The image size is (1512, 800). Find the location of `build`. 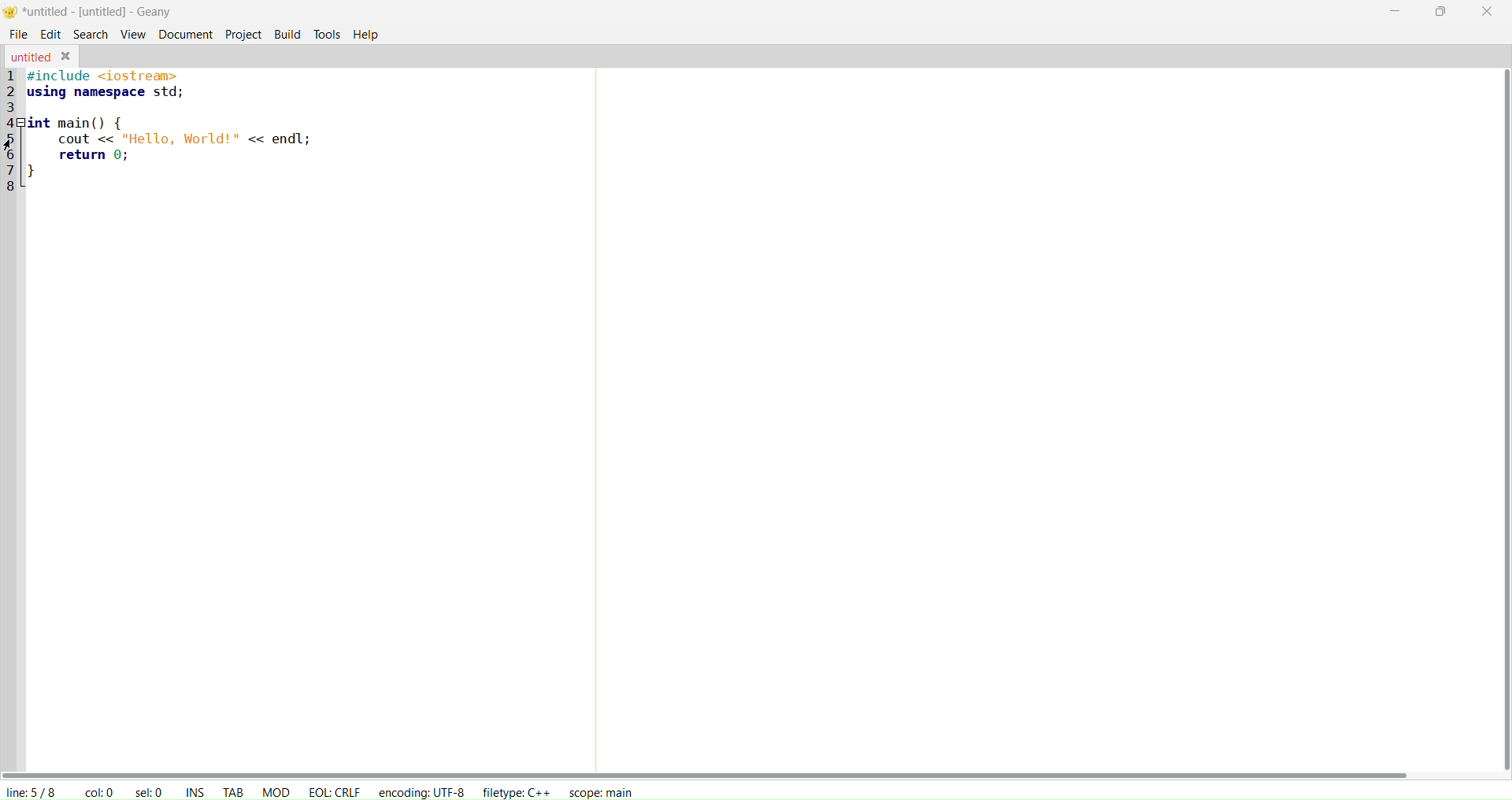

build is located at coordinates (287, 34).